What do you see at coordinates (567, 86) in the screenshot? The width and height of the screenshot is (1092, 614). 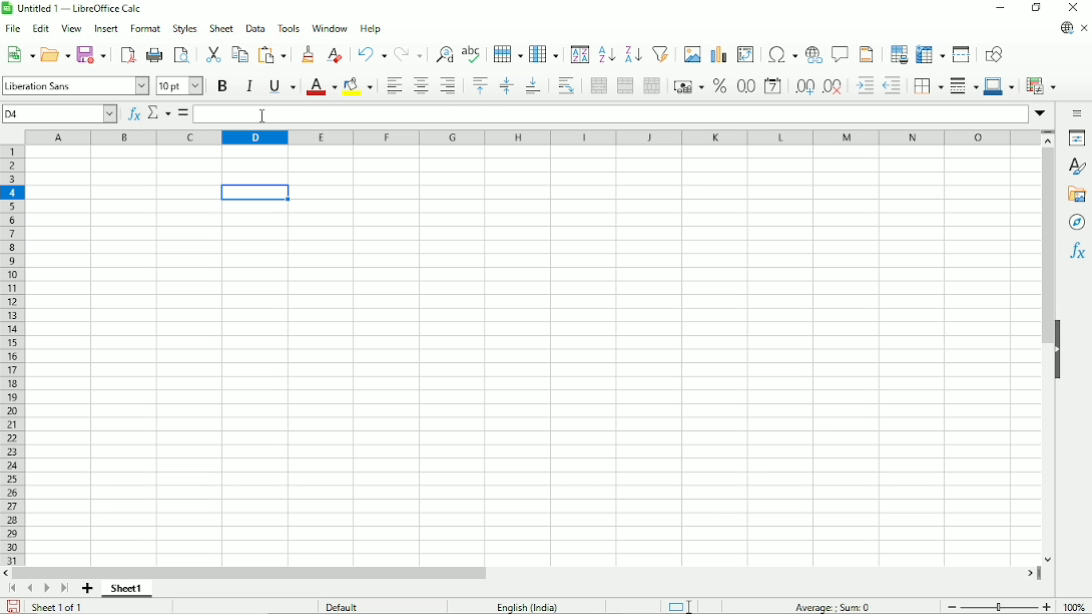 I see `Wrap text` at bounding box center [567, 86].